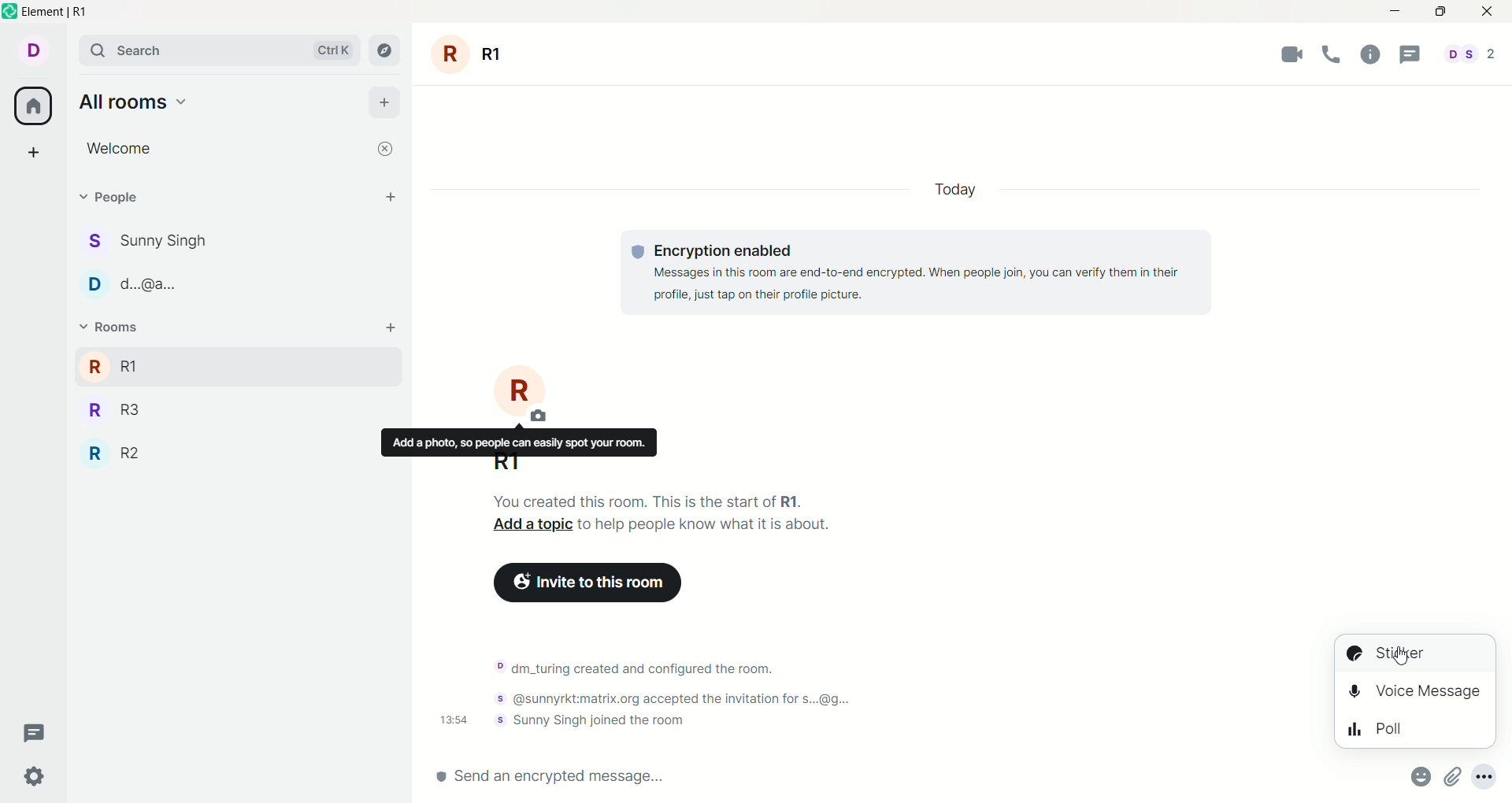  Describe the element at coordinates (135, 102) in the screenshot. I see `all rooms` at that location.